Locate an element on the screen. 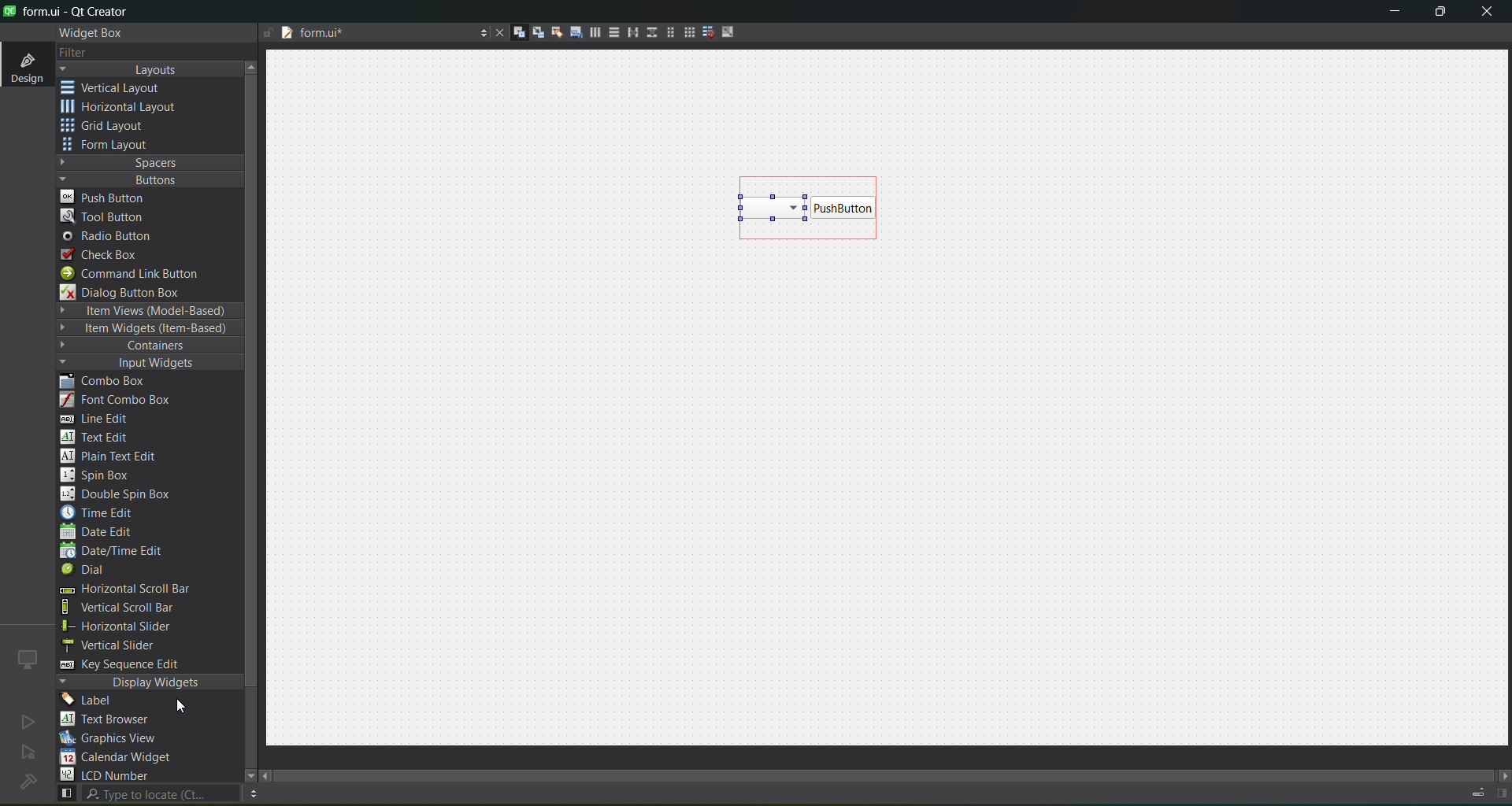  filter is located at coordinates (85, 54).